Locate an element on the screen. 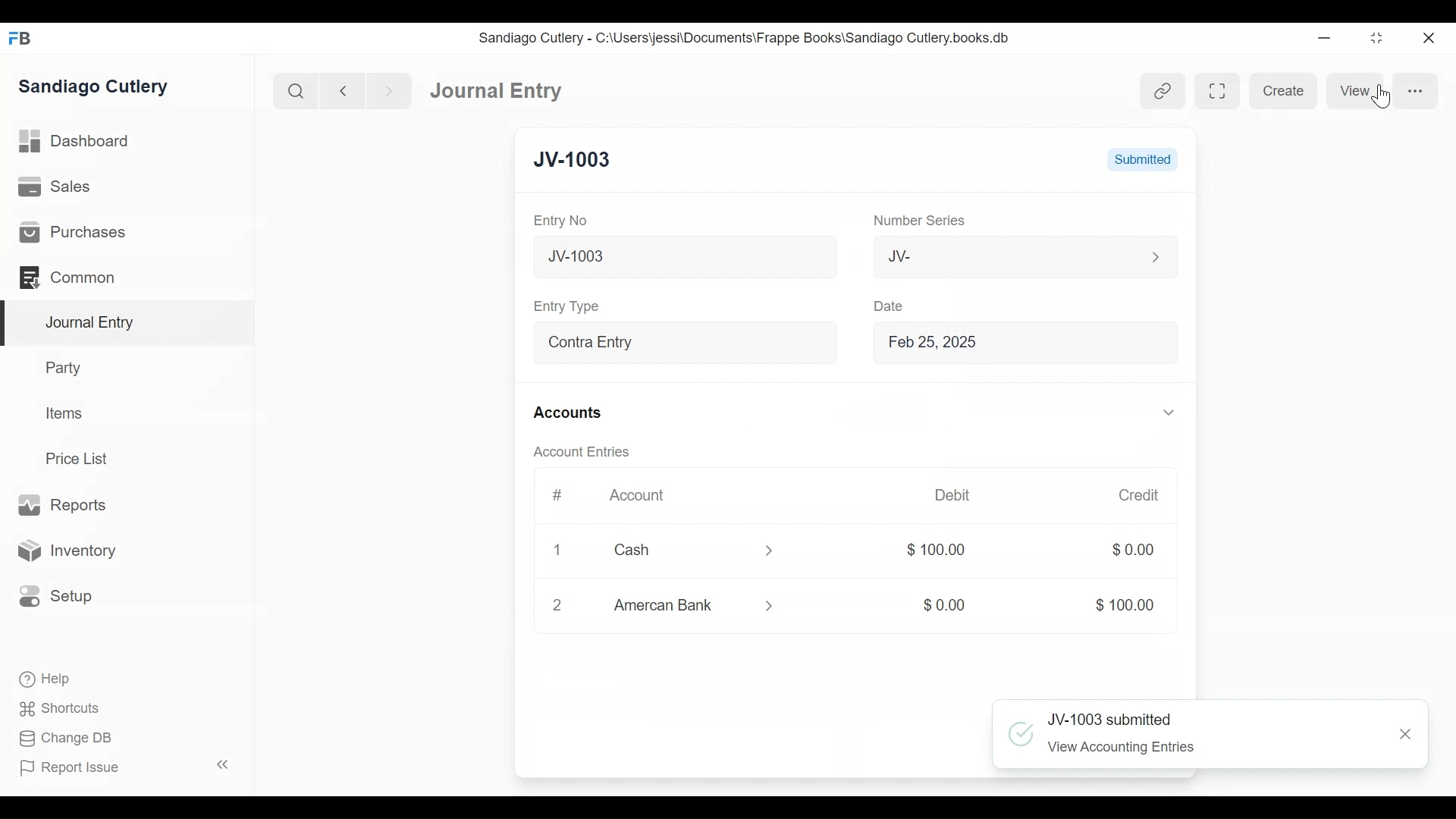 Image resolution: width=1456 pixels, height=819 pixels. # is located at coordinates (560, 494).